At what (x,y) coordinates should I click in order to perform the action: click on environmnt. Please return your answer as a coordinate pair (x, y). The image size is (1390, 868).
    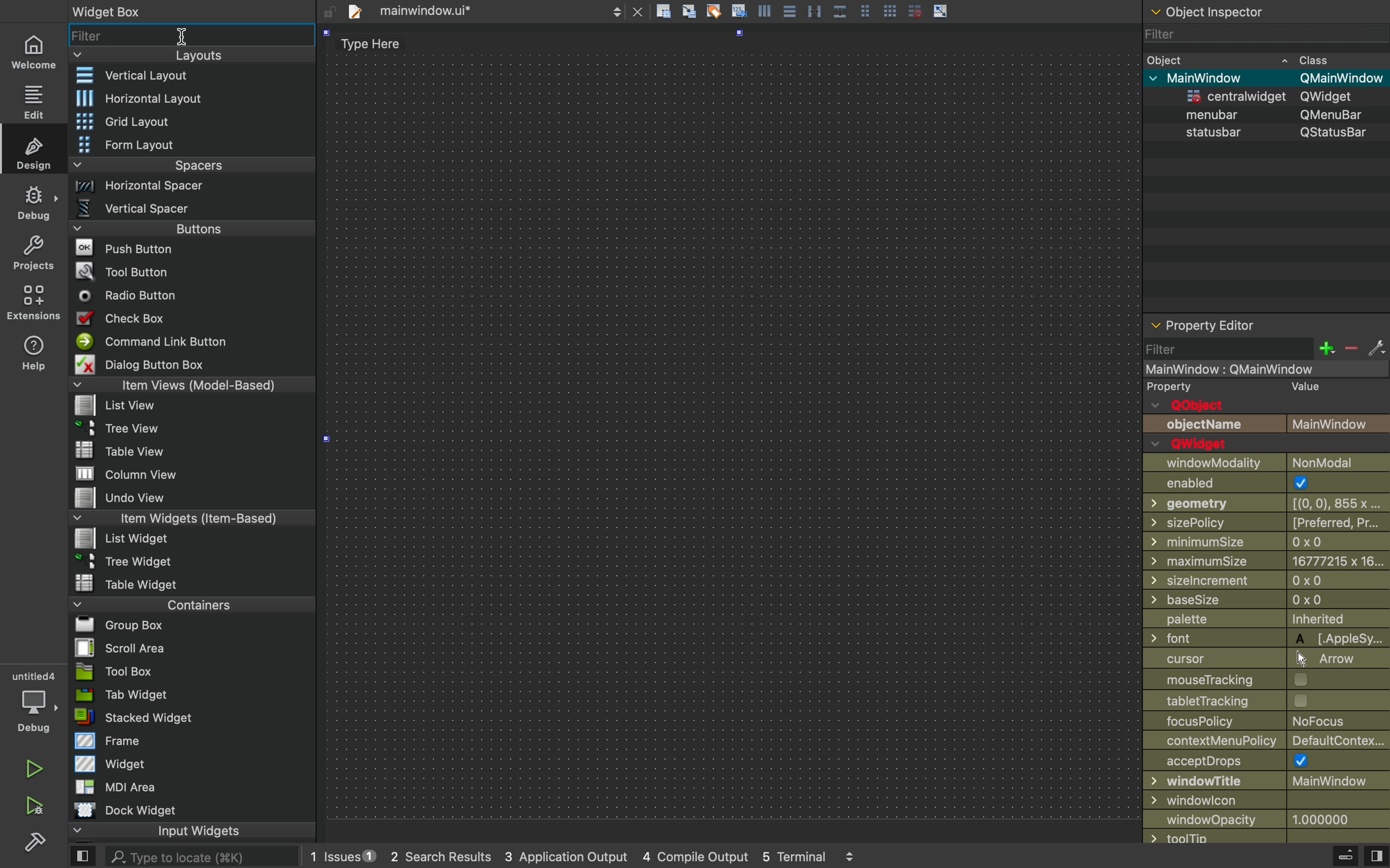
    Looking at the image, I should click on (32, 303).